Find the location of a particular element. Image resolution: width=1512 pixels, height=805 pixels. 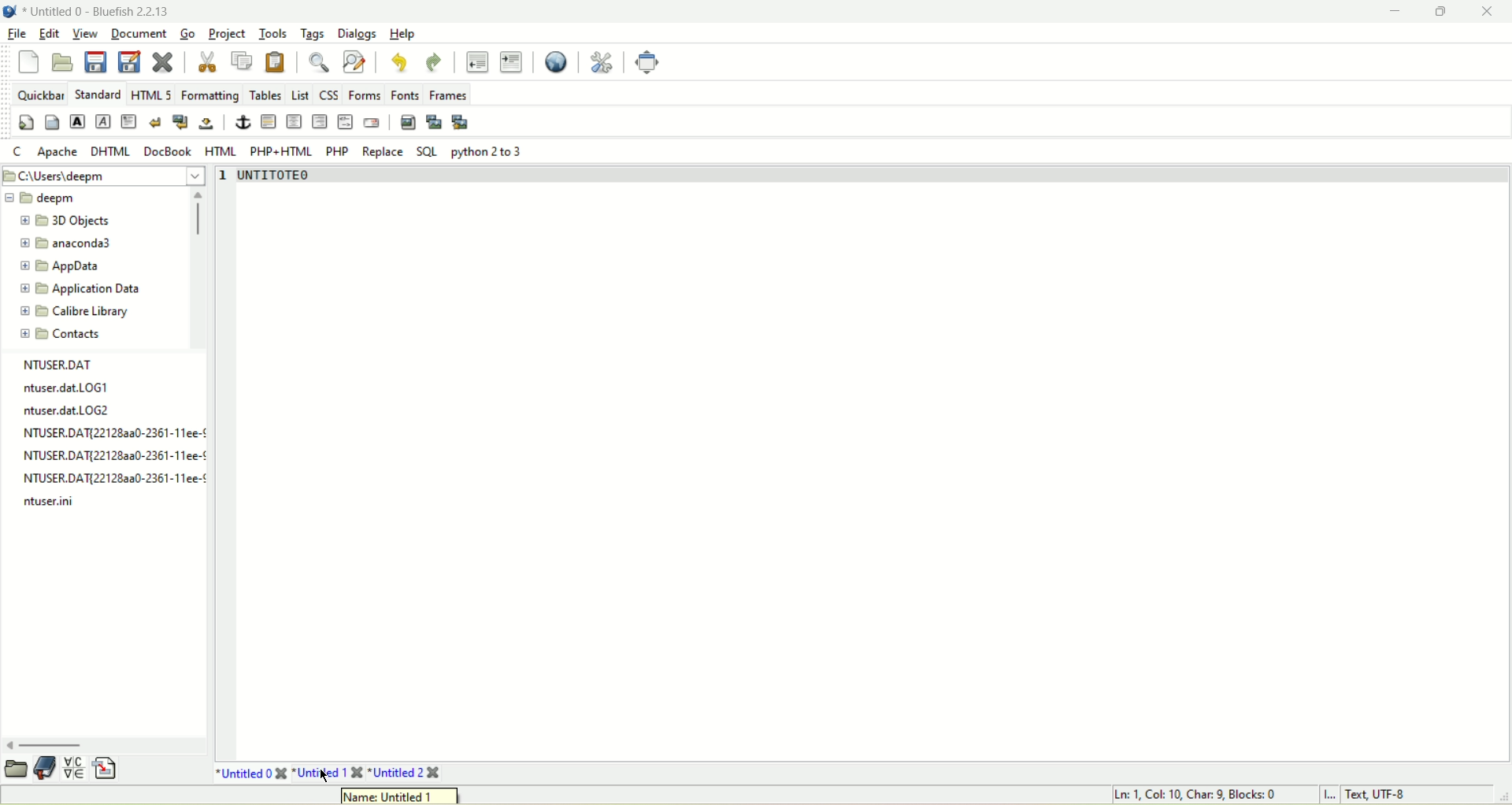

PHP is located at coordinates (335, 150).